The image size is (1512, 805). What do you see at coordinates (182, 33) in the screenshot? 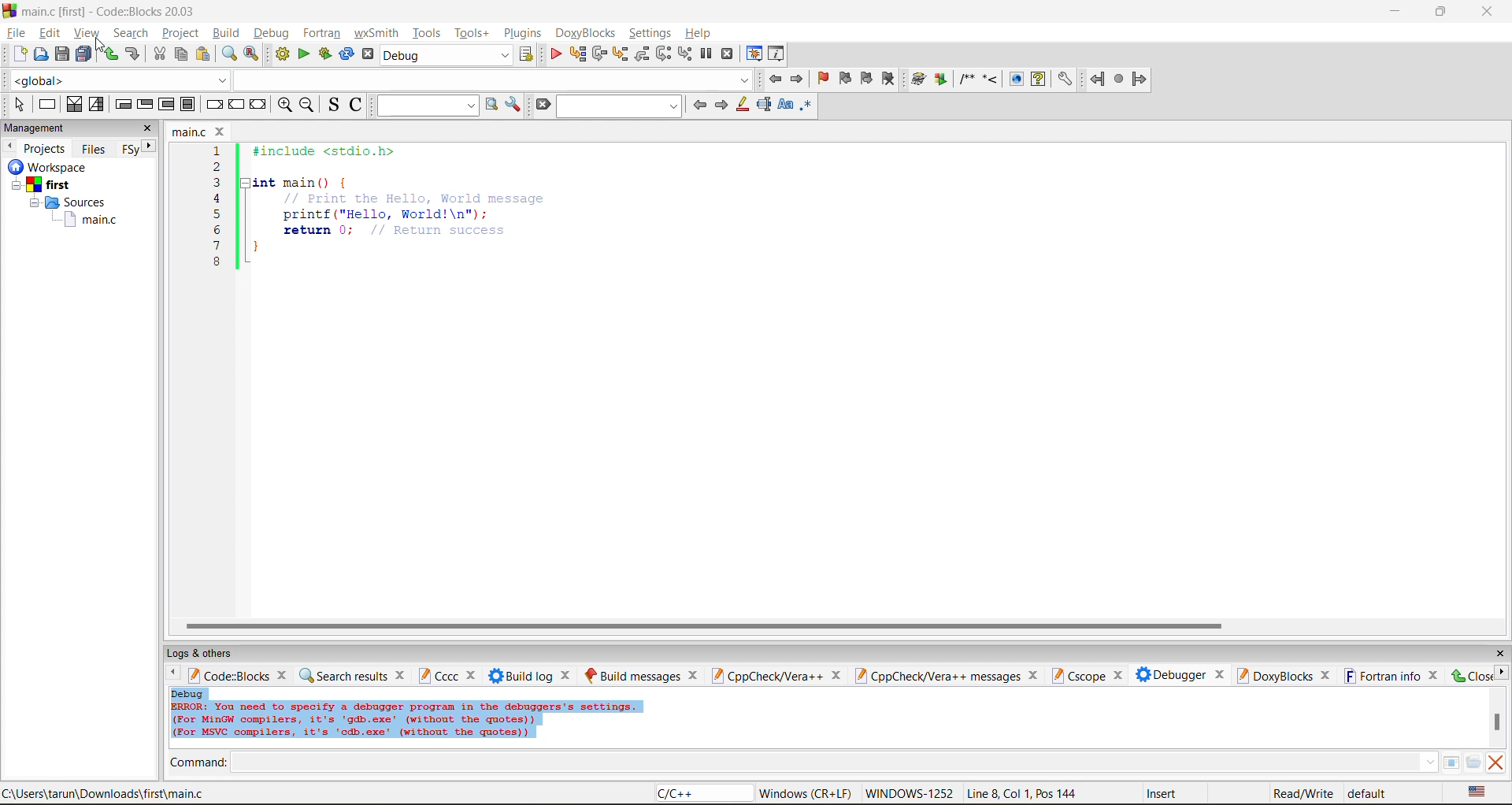
I see `project` at bounding box center [182, 33].